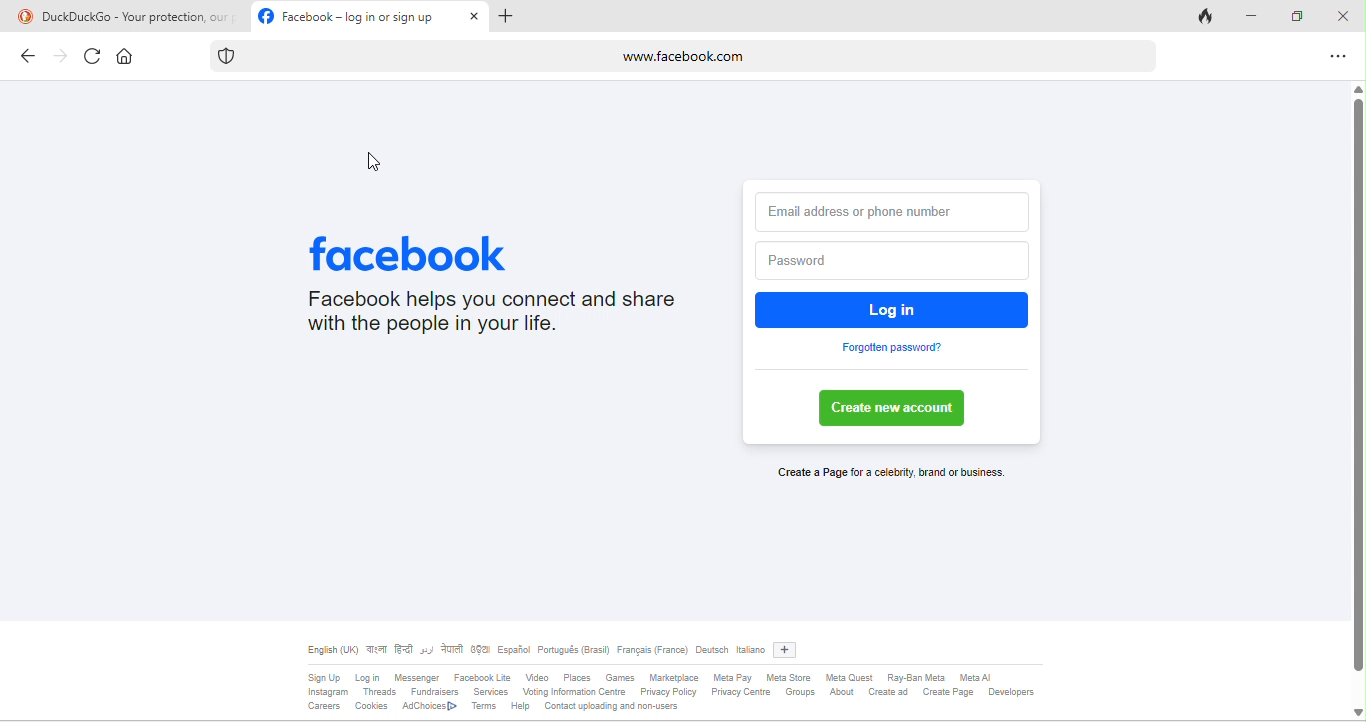 The image size is (1366, 722). What do you see at coordinates (369, 15) in the screenshot?
I see `facebook-log in or sign in` at bounding box center [369, 15].